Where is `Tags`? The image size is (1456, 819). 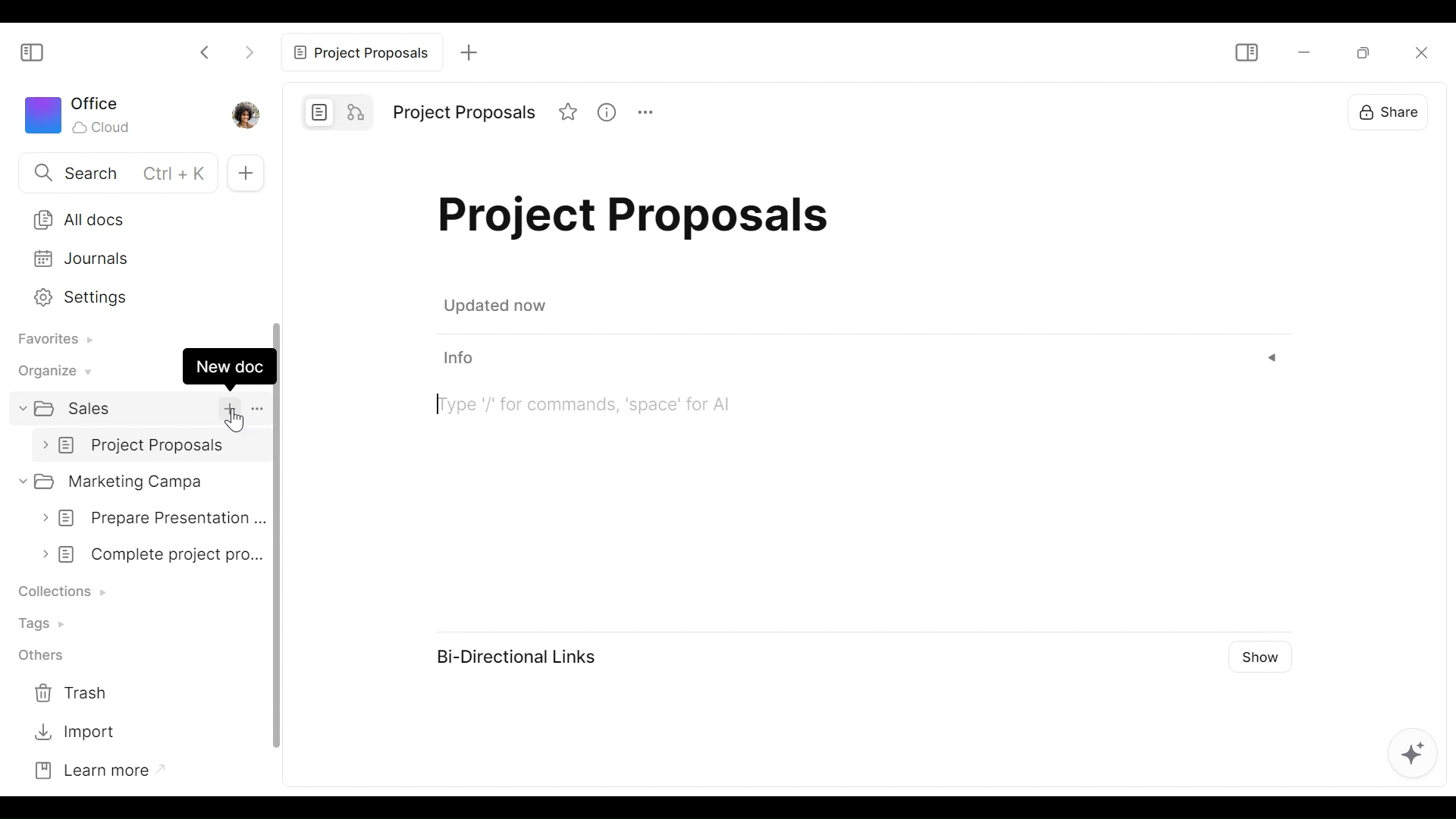 Tags is located at coordinates (48, 620).